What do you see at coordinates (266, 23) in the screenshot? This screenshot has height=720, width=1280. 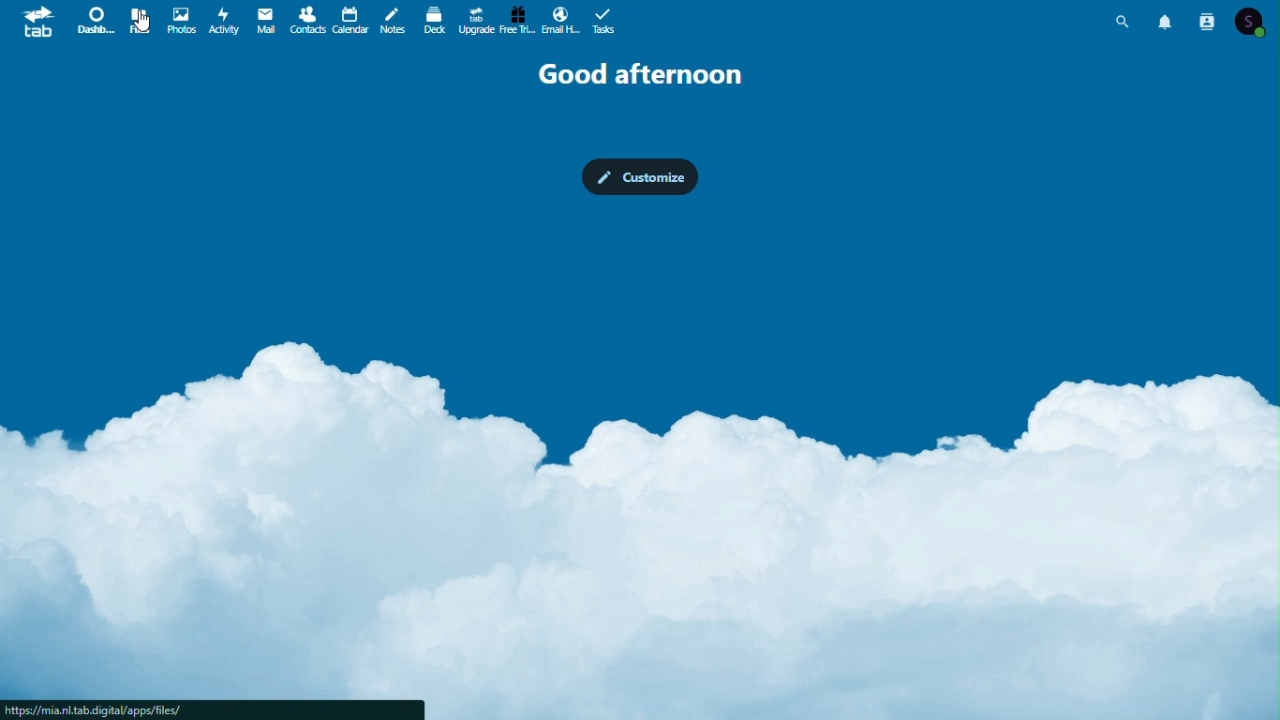 I see `mail` at bounding box center [266, 23].